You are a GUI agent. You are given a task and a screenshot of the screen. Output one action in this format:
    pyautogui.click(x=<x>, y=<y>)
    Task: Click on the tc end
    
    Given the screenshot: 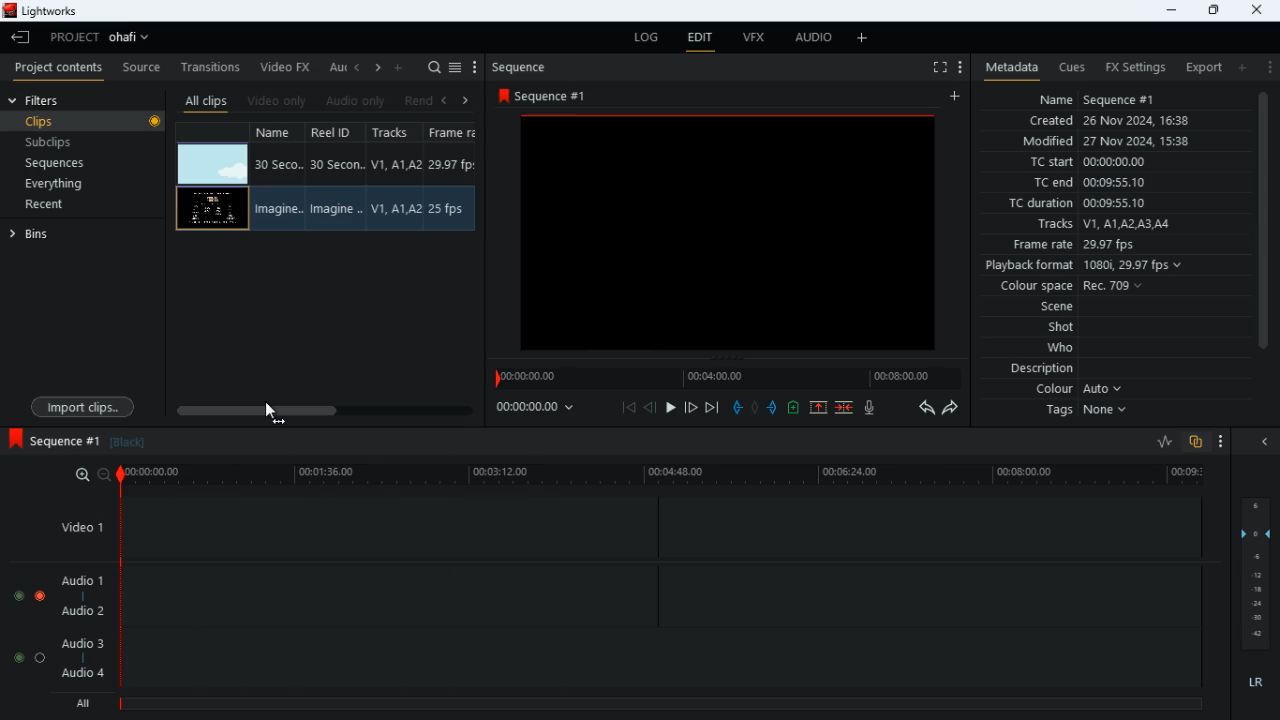 What is the action you would take?
    pyautogui.click(x=1097, y=183)
    